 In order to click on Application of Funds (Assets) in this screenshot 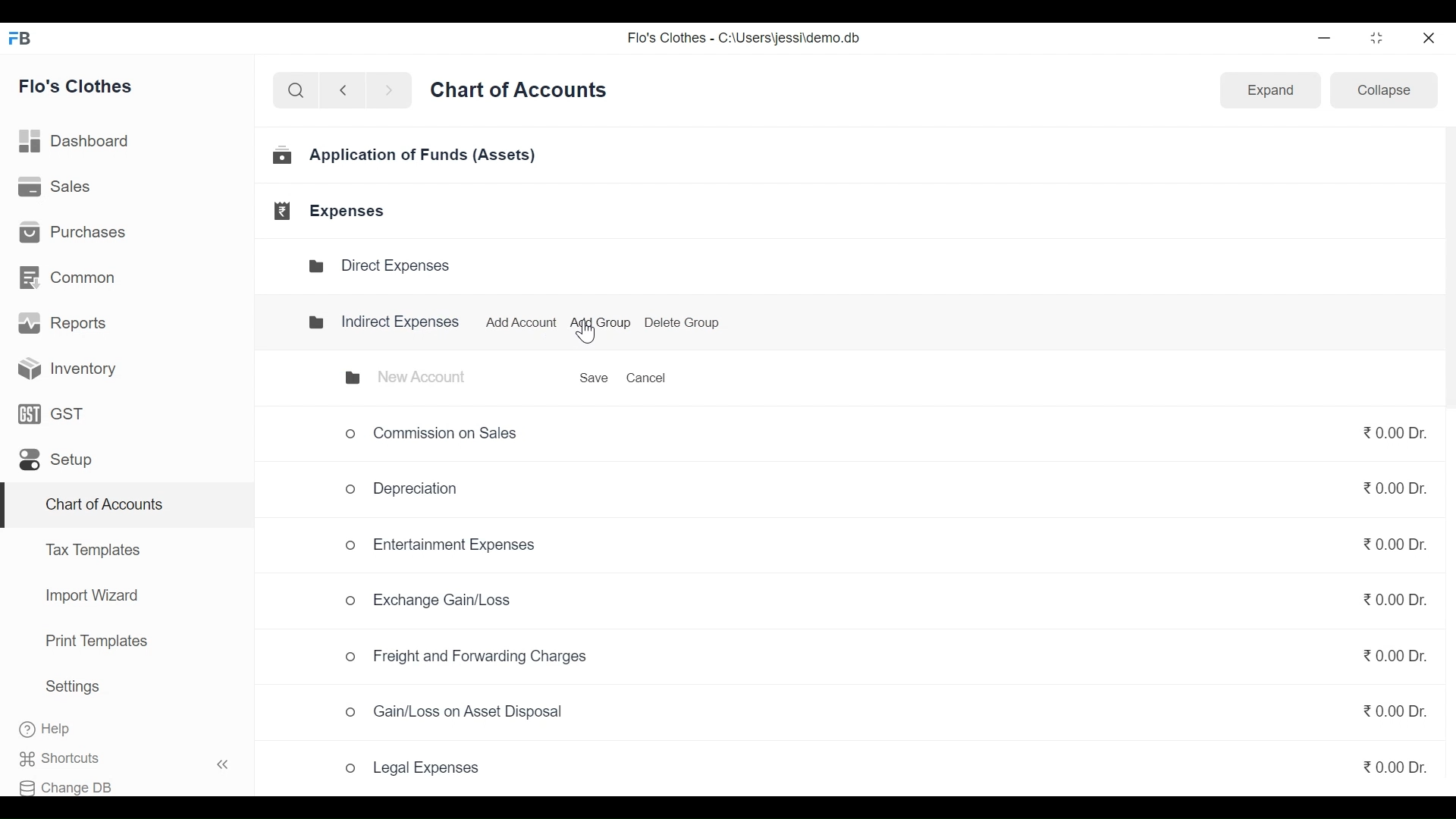, I will do `click(406, 158)`.